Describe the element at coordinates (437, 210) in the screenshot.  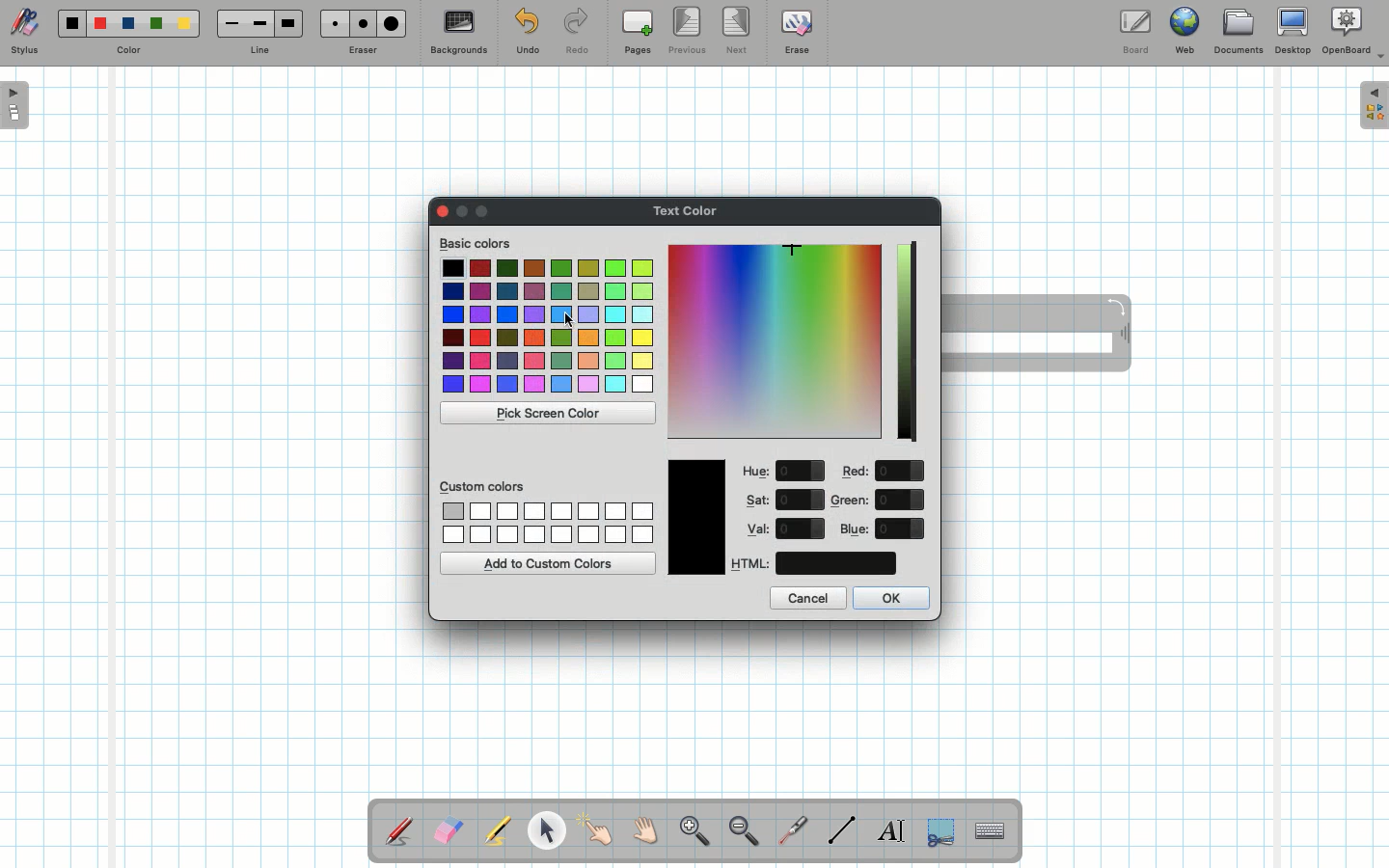
I see `Clor` at that location.